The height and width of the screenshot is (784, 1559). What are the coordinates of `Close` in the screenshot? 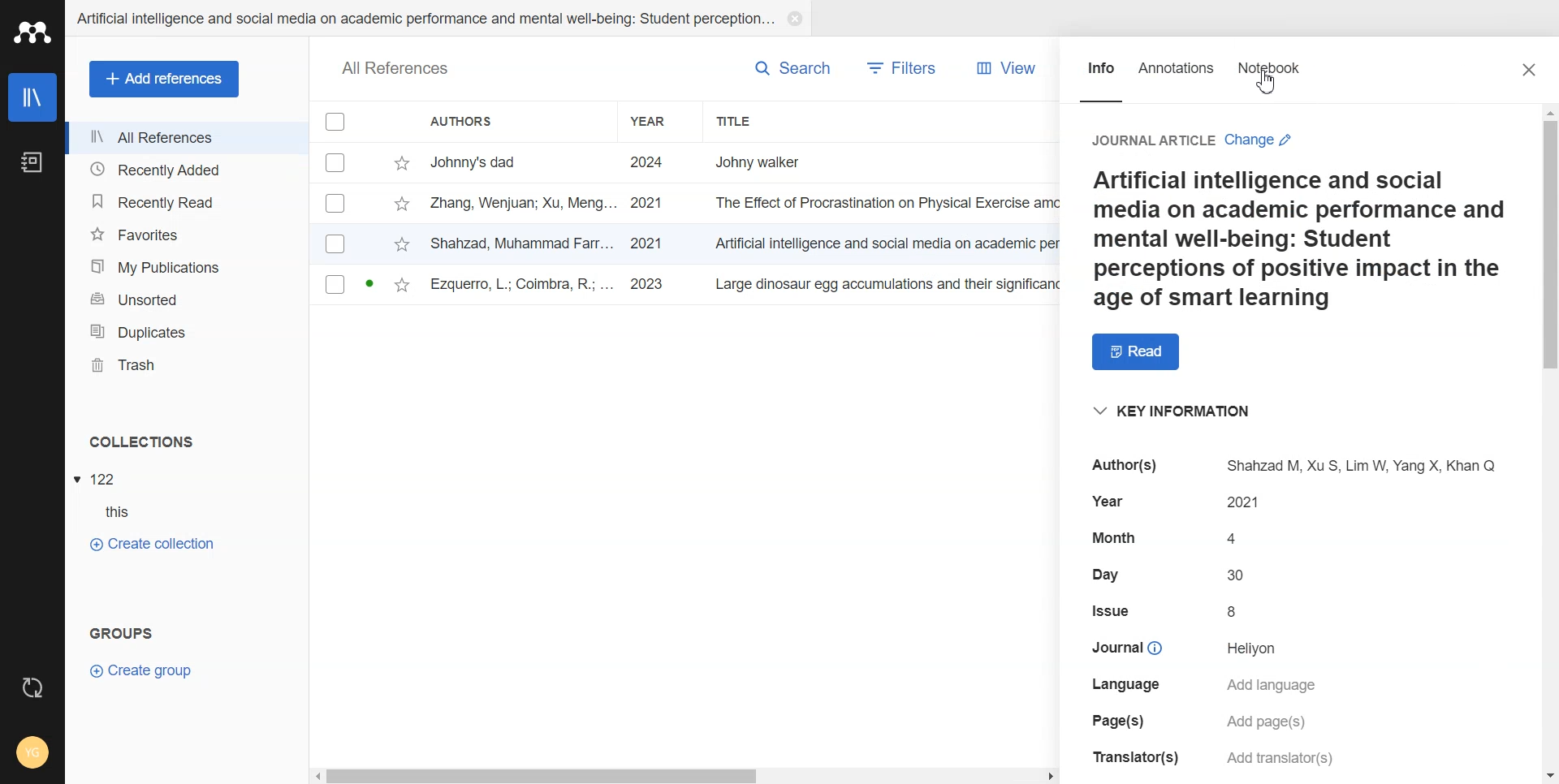 It's located at (1529, 69).